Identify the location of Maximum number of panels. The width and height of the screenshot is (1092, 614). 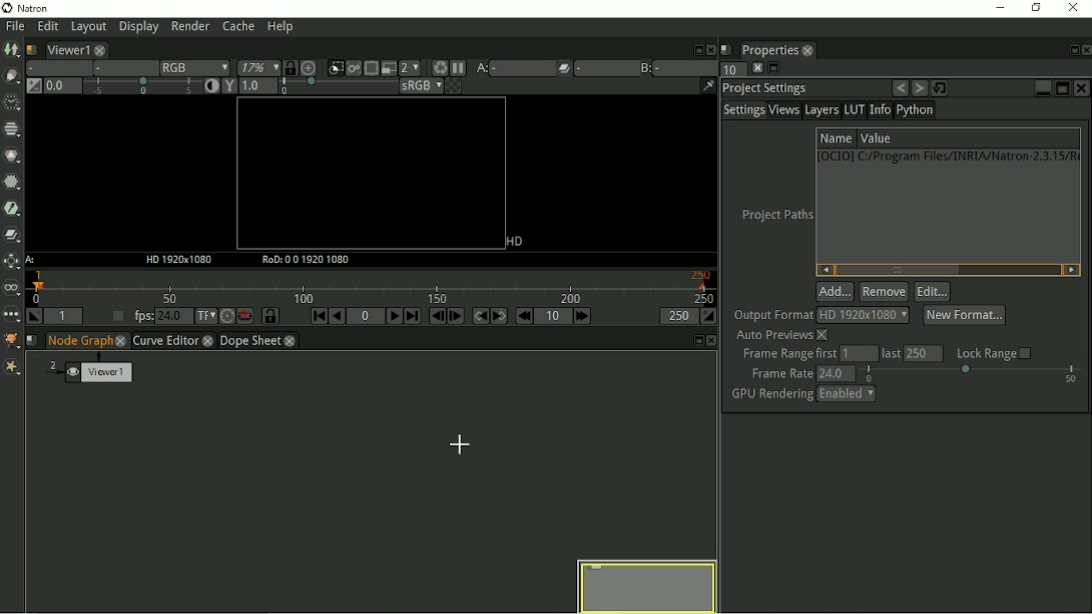
(728, 70).